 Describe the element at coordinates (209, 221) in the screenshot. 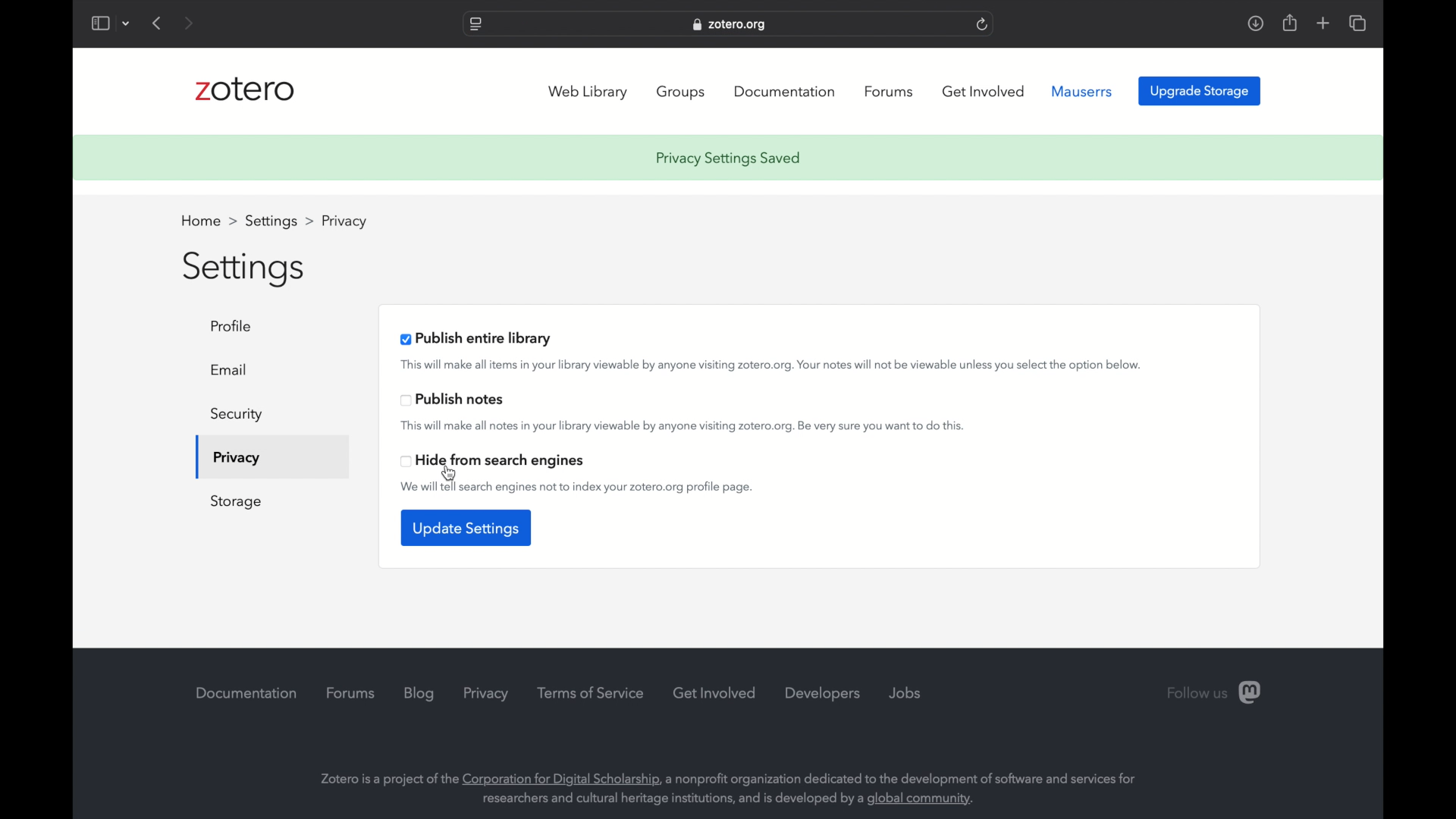

I see `home` at that location.